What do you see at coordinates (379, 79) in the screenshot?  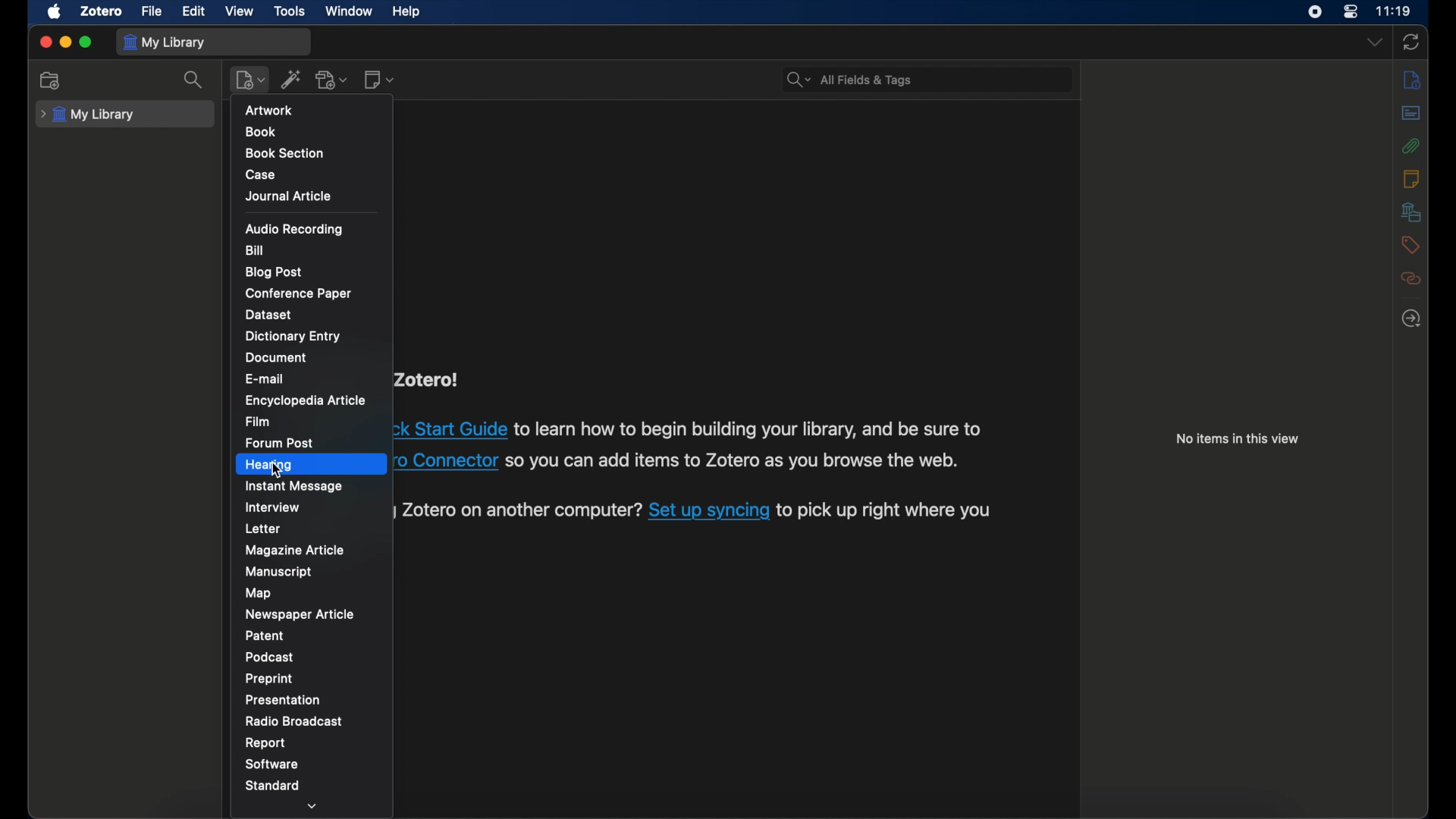 I see `new note` at bounding box center [379, 79].